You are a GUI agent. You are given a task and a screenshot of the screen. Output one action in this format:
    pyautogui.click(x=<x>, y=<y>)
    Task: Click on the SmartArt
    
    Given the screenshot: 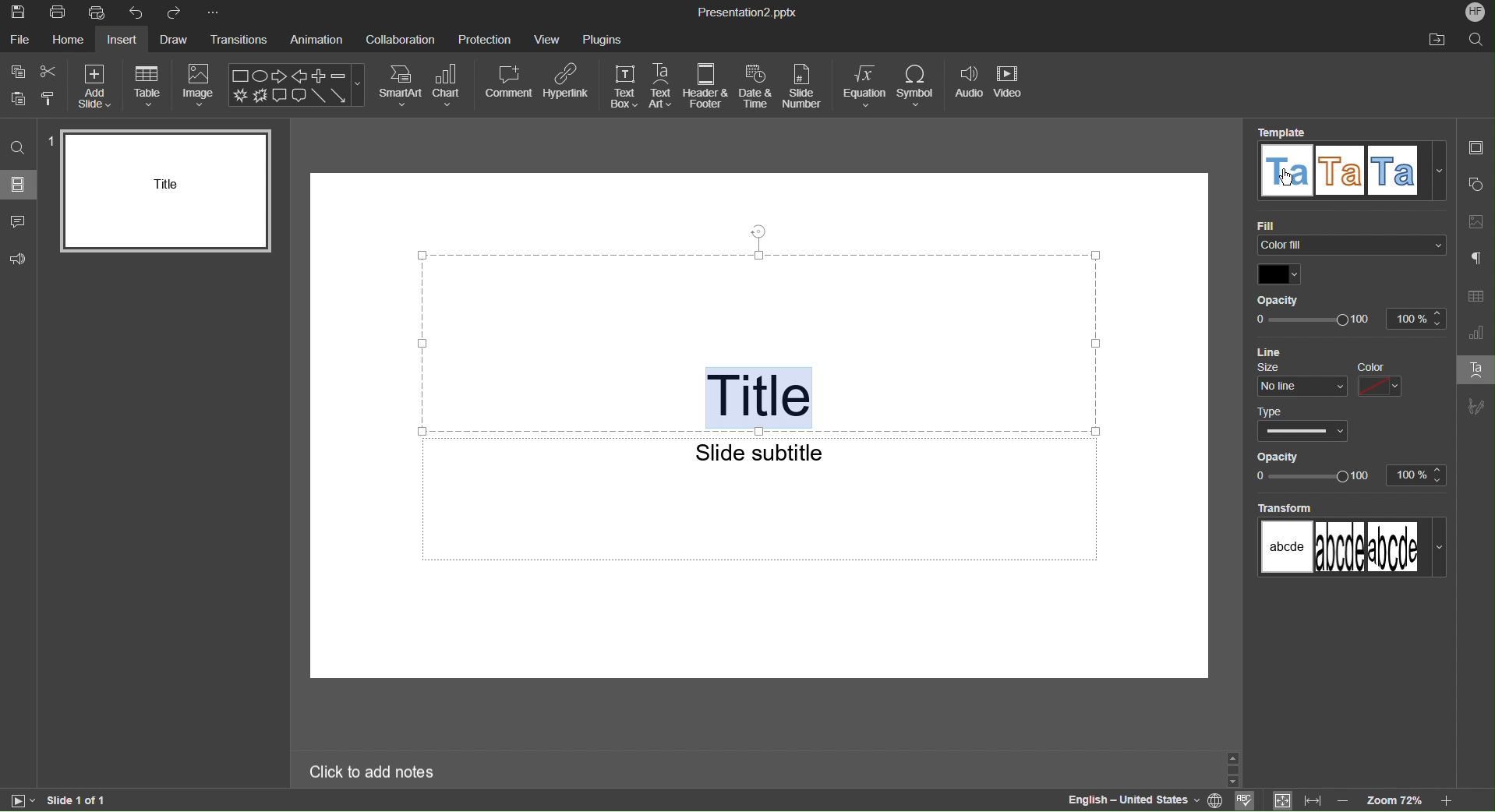 What is the action you would take?
    pyautogui.click(x=401, y=85)
    